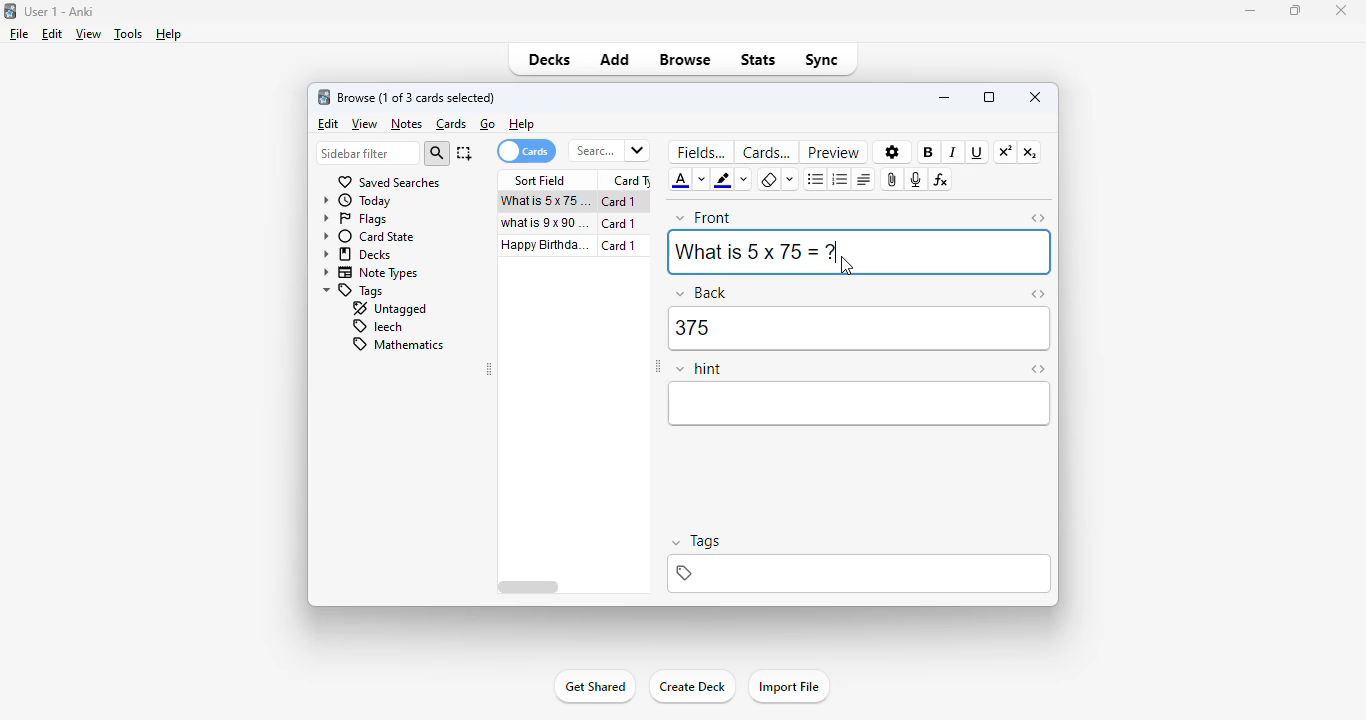 This screenshot has height=720, width=1366. I want to click on attach pictures/audio/video, so click(894, 180).